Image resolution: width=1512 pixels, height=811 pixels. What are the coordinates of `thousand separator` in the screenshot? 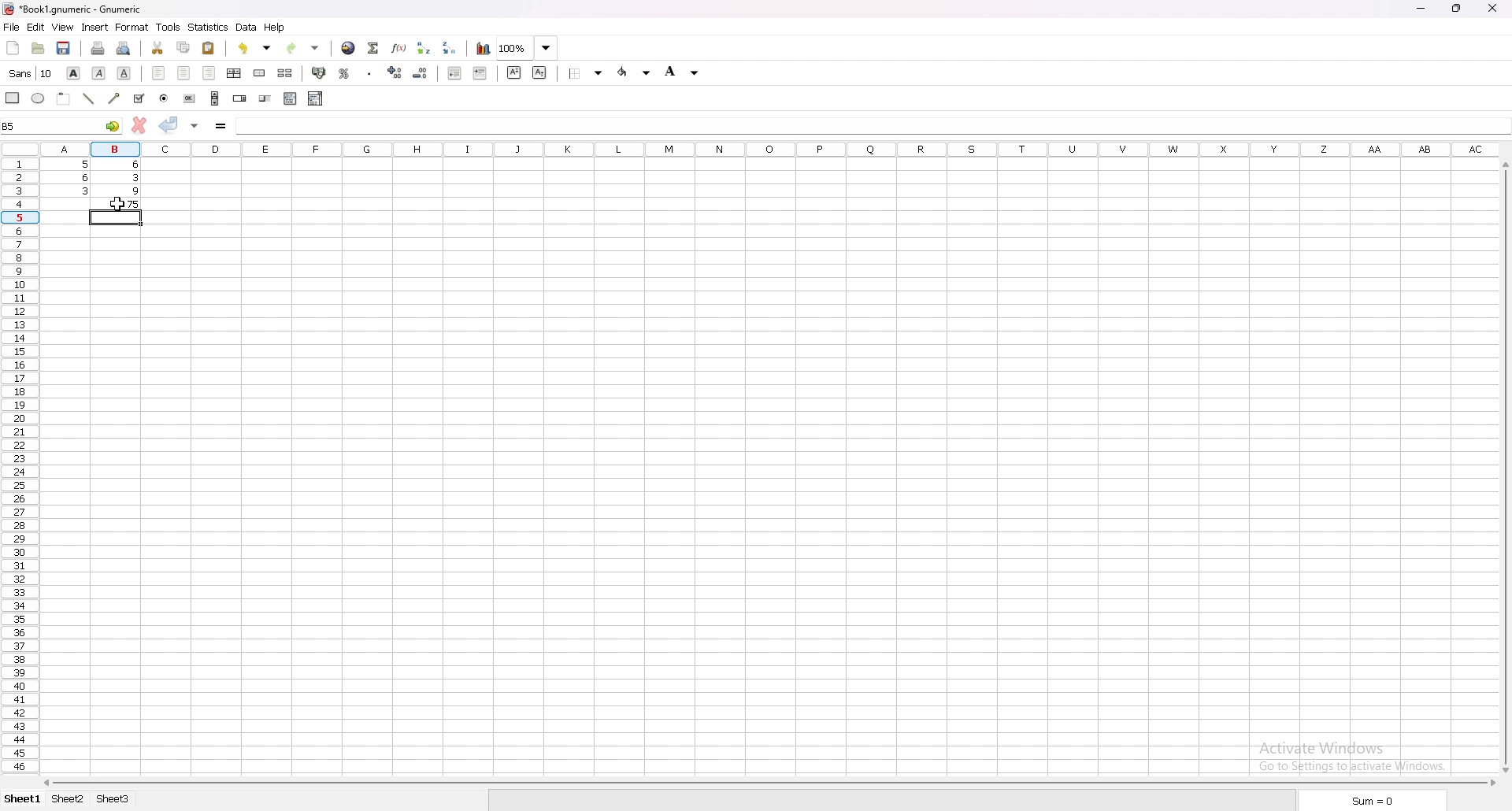 It's located at (370, 72).